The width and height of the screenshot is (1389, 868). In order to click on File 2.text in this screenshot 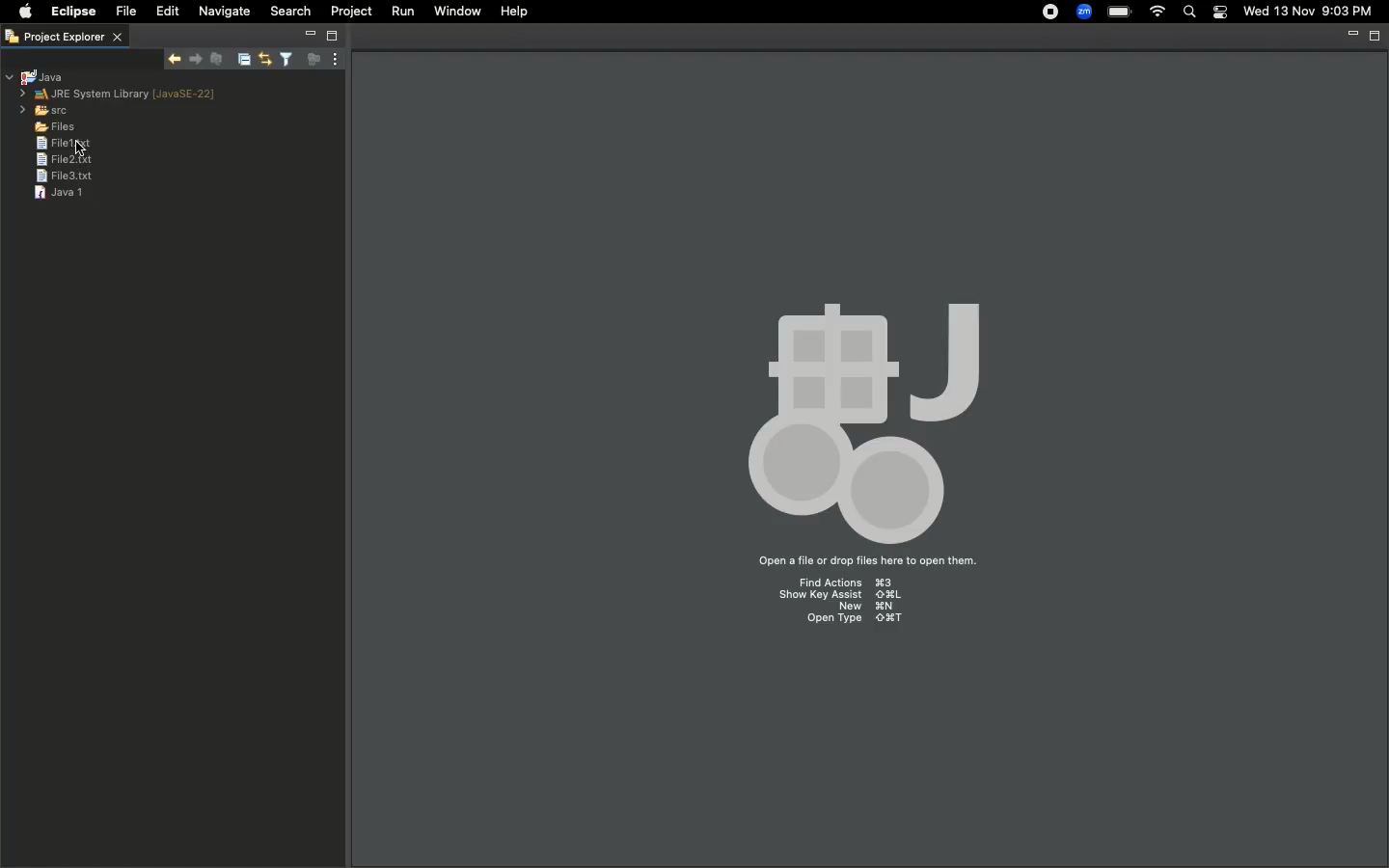, I will do `click(60, 159)`.